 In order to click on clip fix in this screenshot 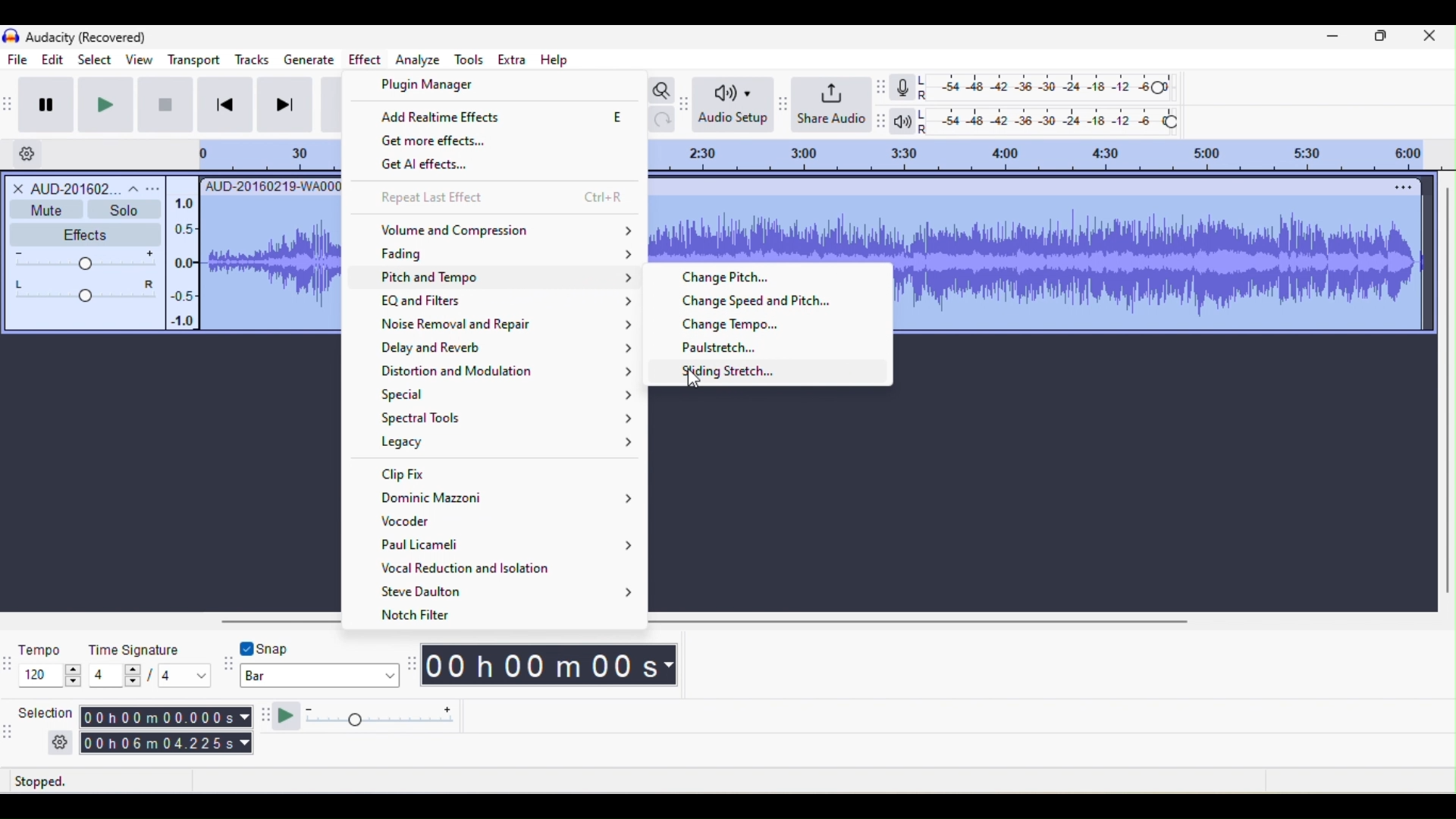, I will do `click(509, 475)`.